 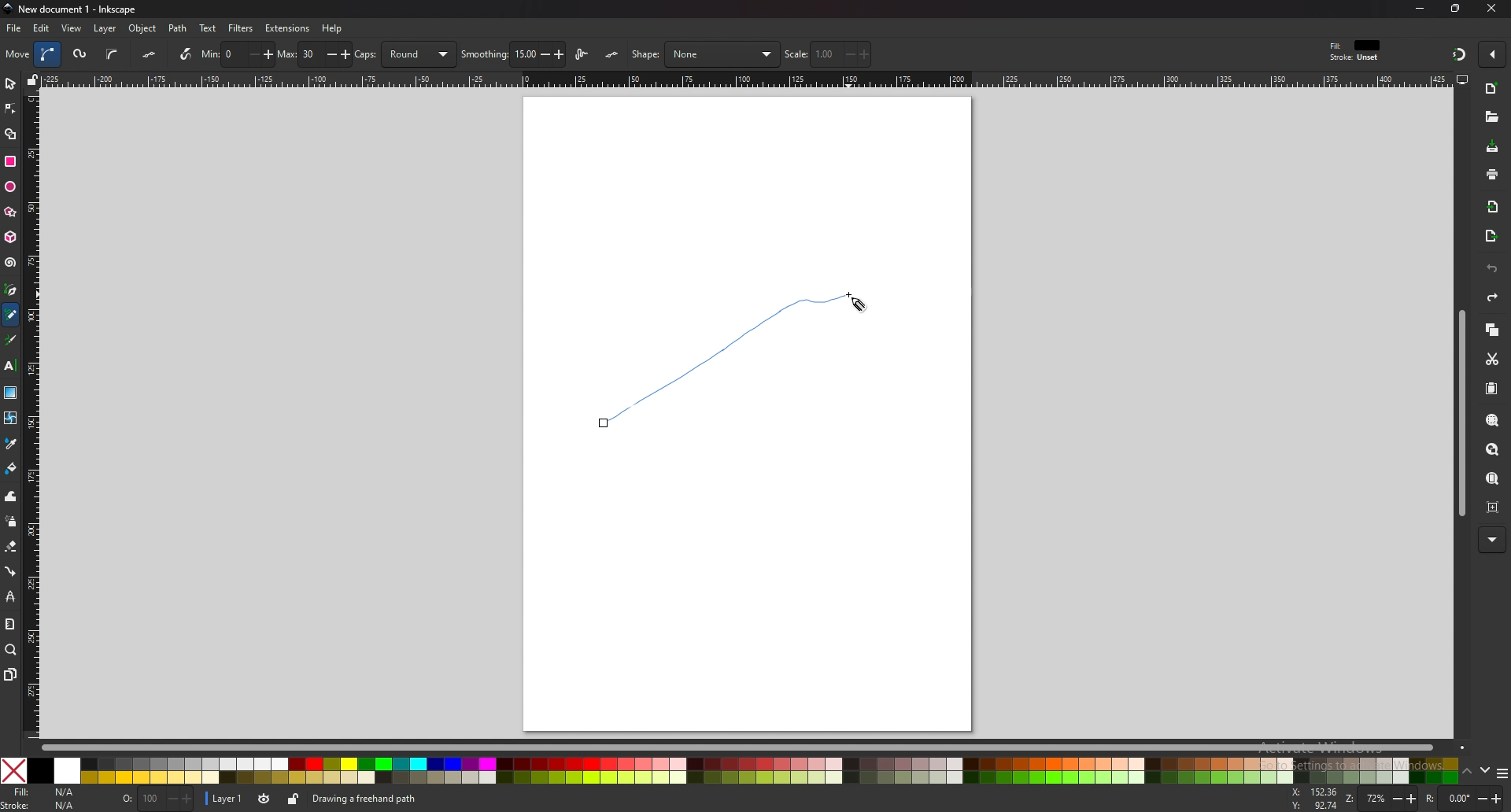 What do you see at coordinates (226, 798) in the screenshot?
I see `layer` at bounding box center [226, 798].